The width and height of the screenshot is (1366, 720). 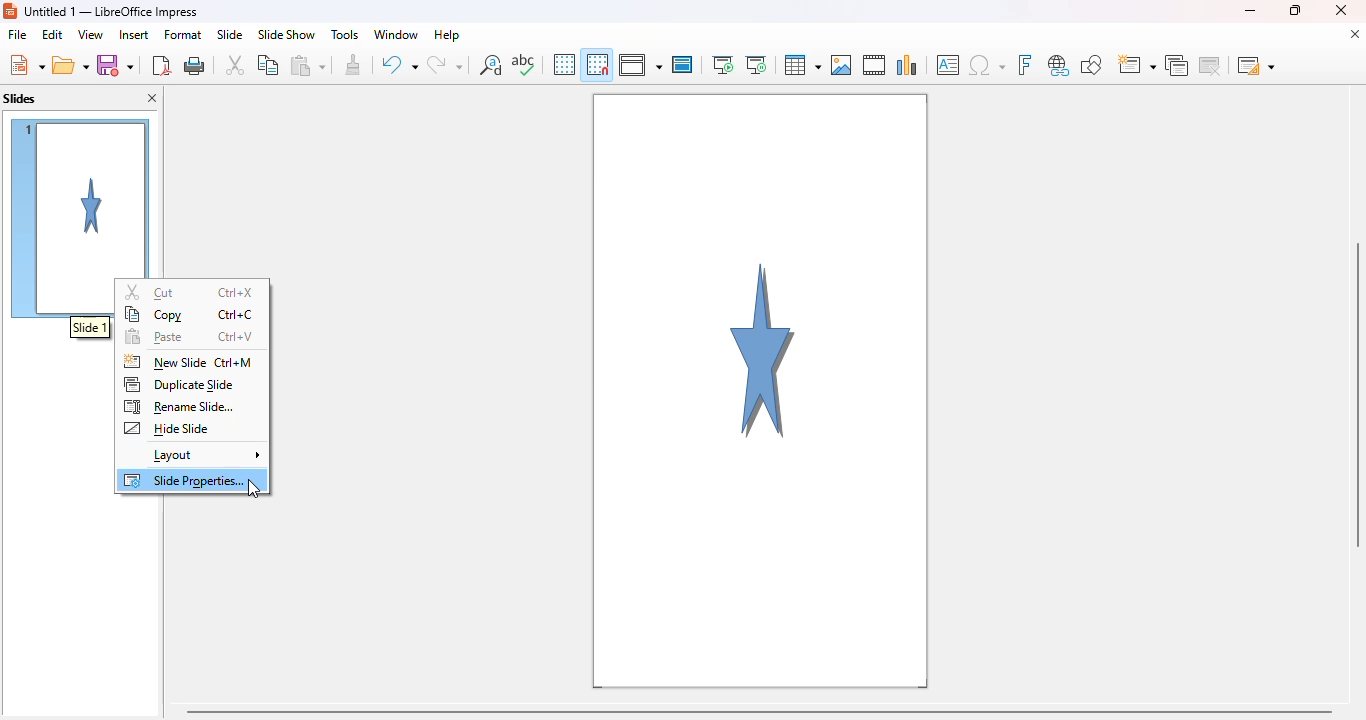 What do you see at coordinates (235, 292) in the screenshot?
I see `shortcut for cut "Ctrl+X"` at bounding box center [235, 292].